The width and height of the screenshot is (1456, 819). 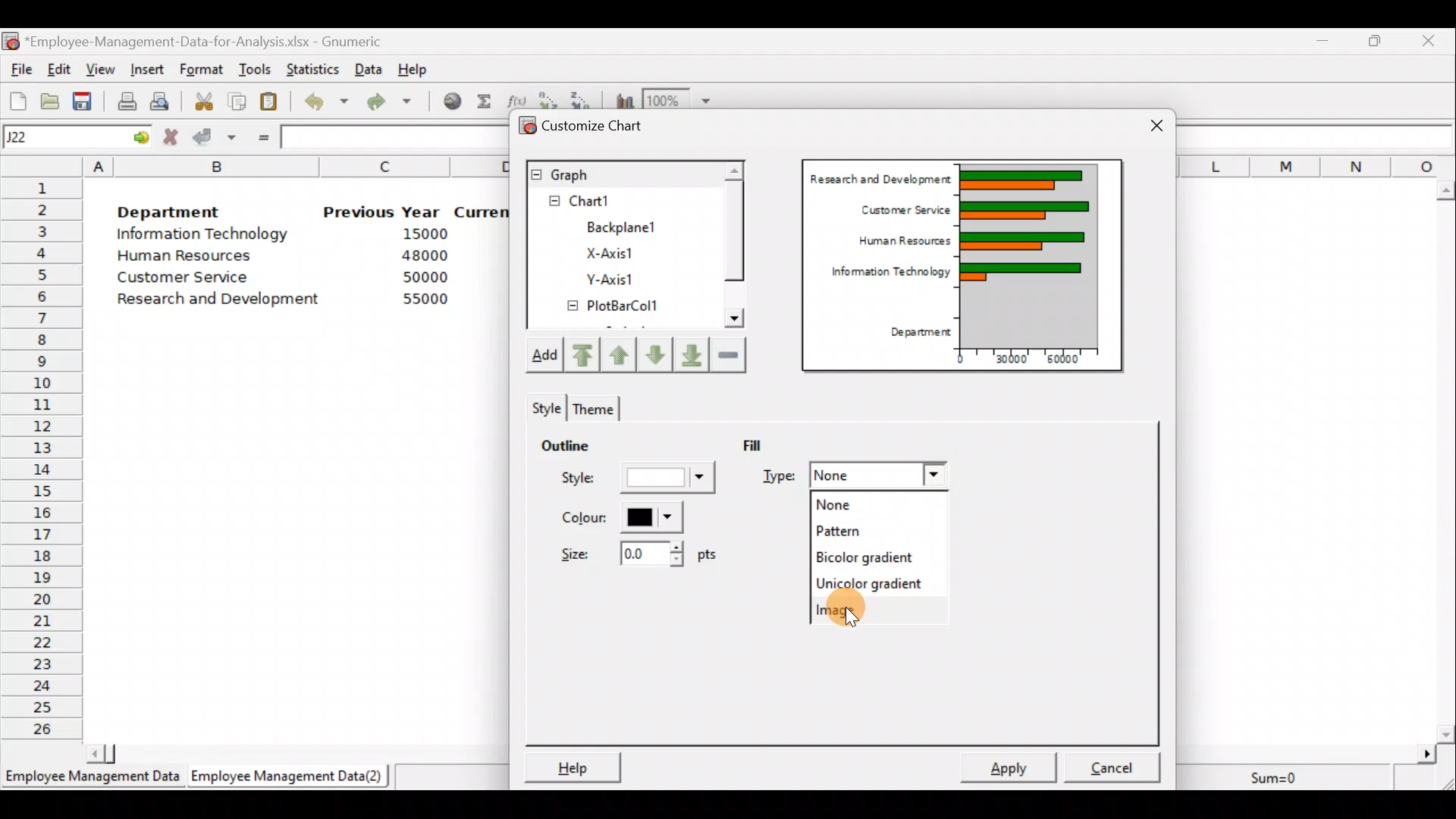 I want to click on Format, so click(x=203, y=67).